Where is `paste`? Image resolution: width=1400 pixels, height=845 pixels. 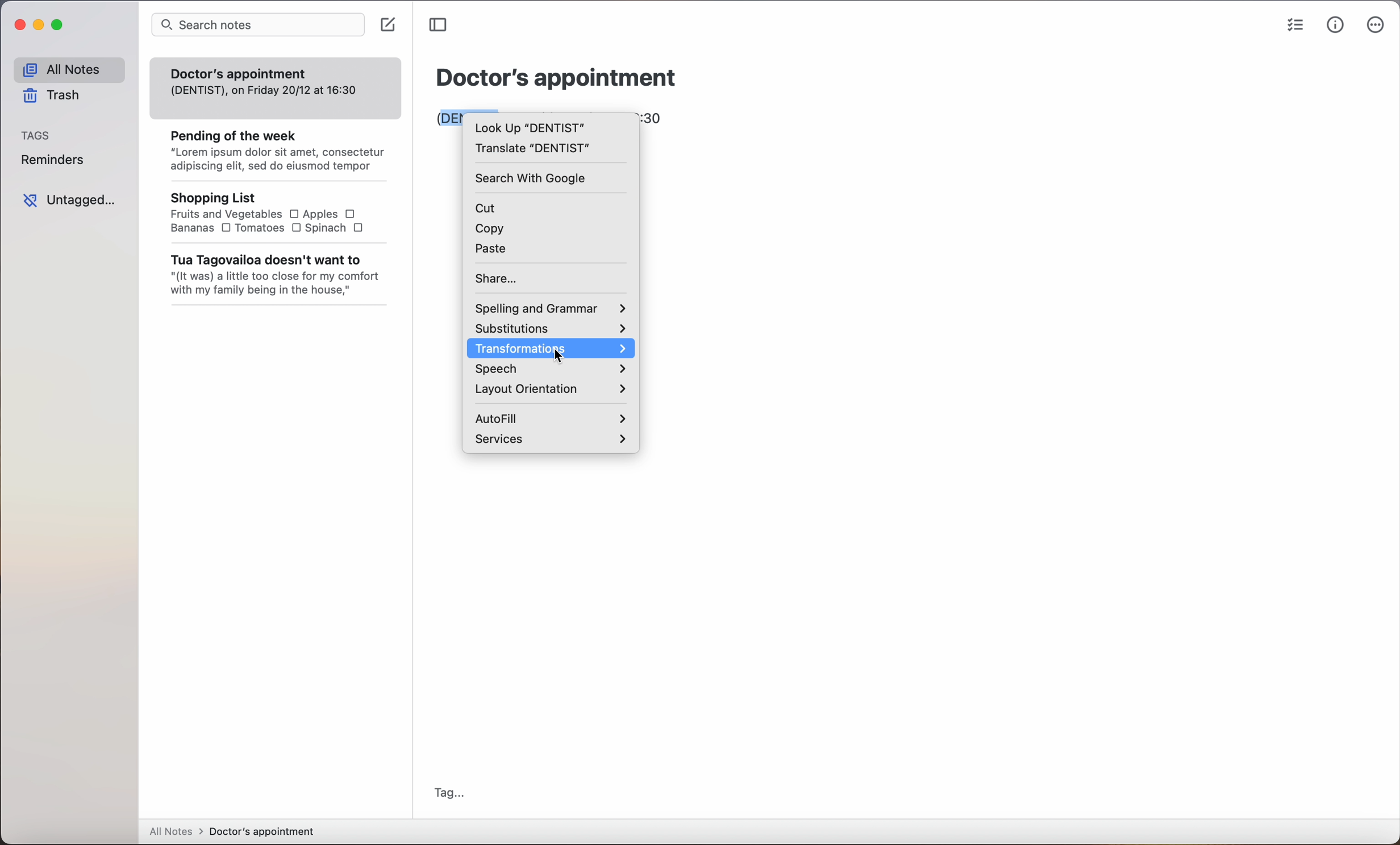 paste is located at coordinates (493, 250).